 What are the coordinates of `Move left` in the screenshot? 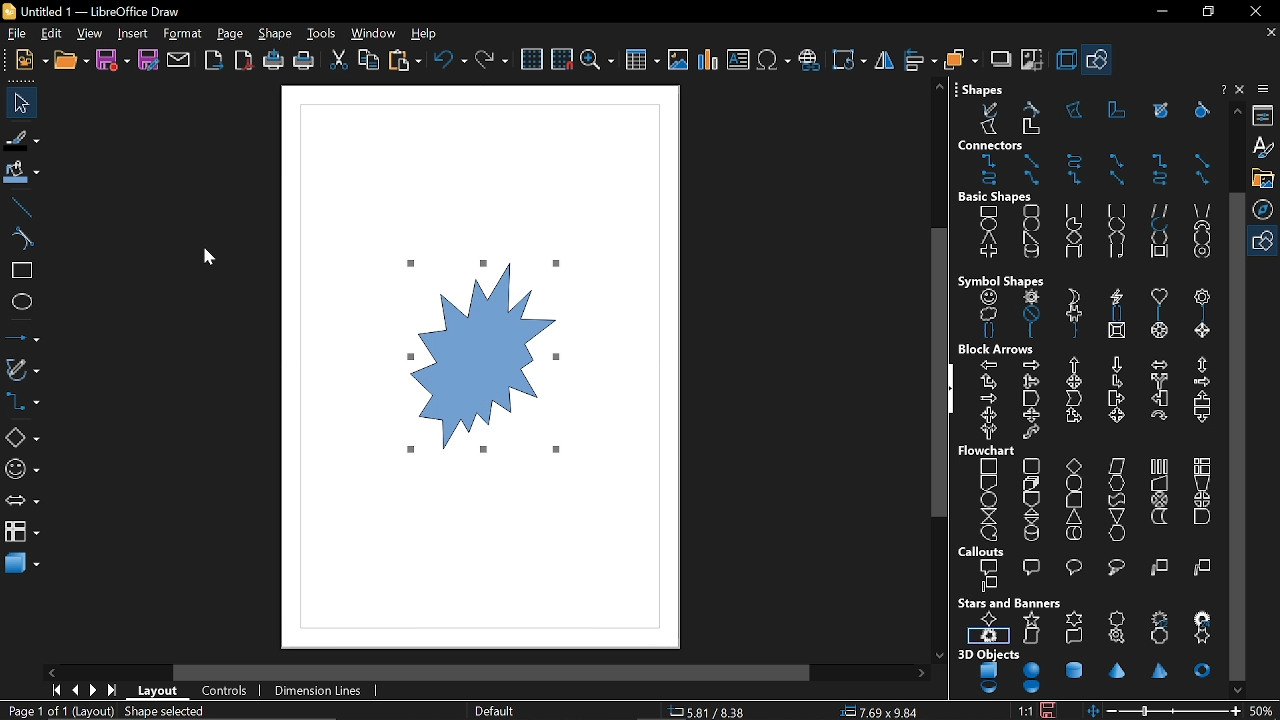 It's located at (51, 672).